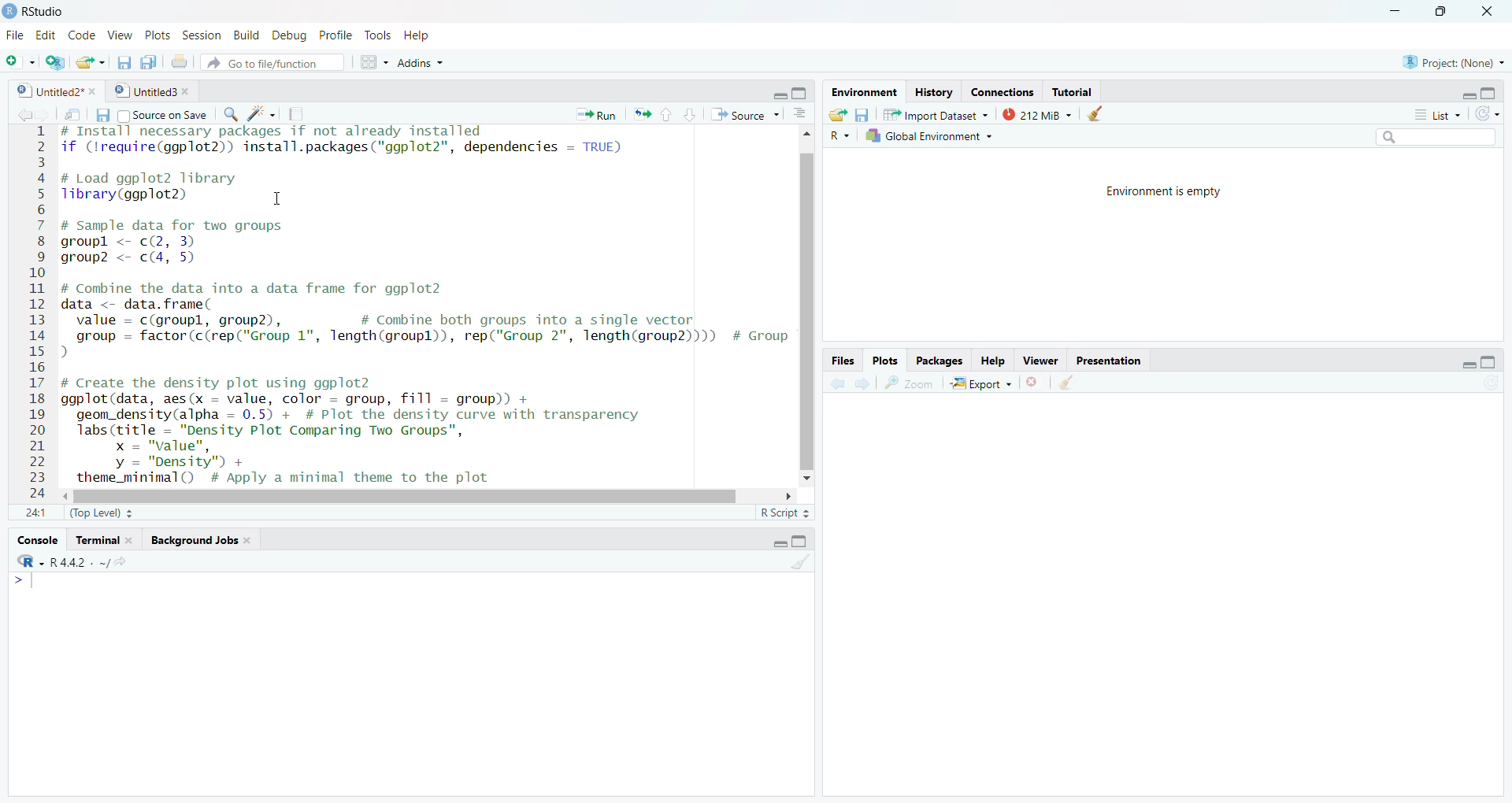  I want to click on go to next section, so click(691, 117).